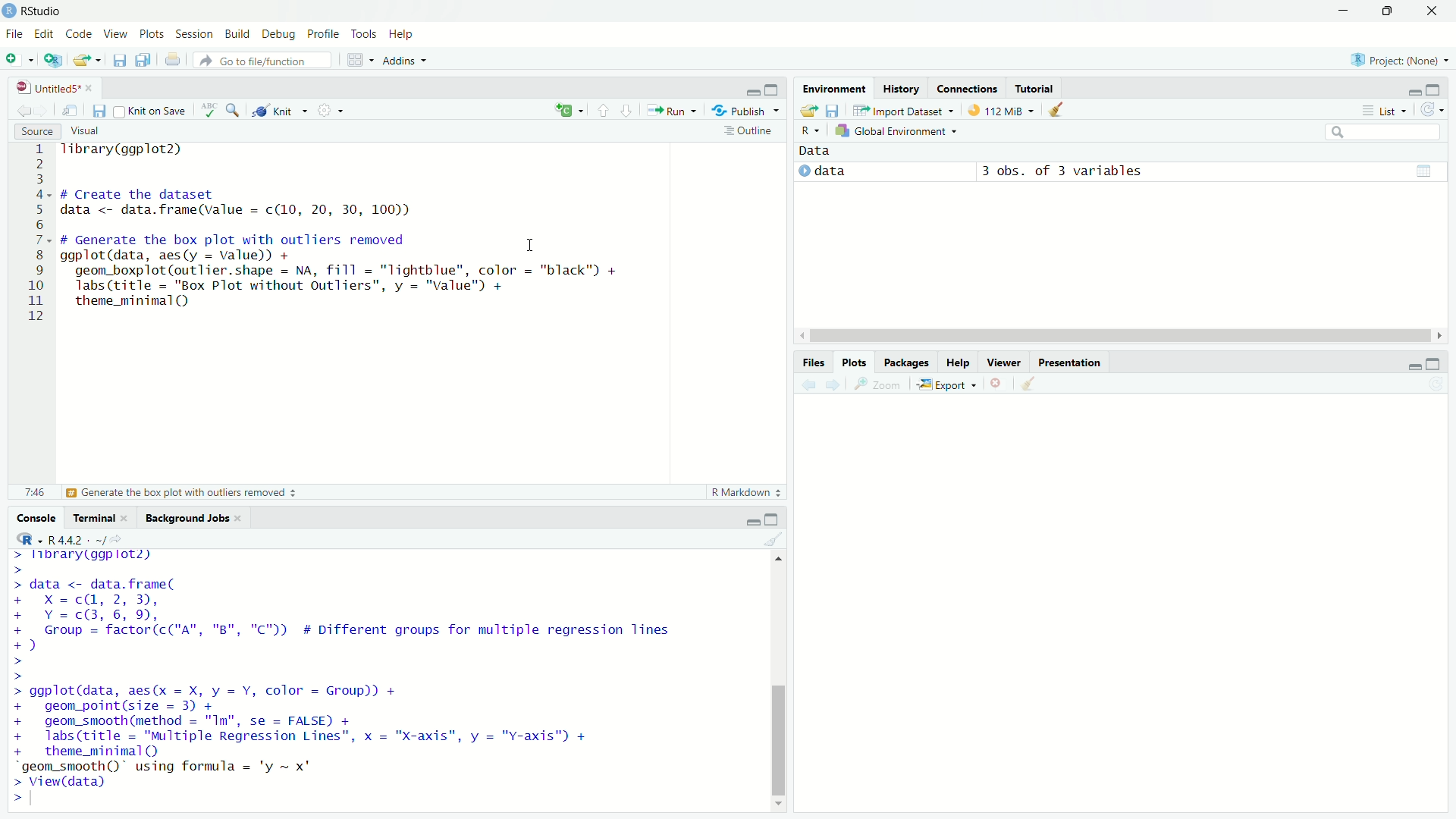 This screenshot has width=1456, height=819. Describe the element at coordinates (182, 494) in the screenshot. I see `| Generate the box plot with outliers removed +` at that location.